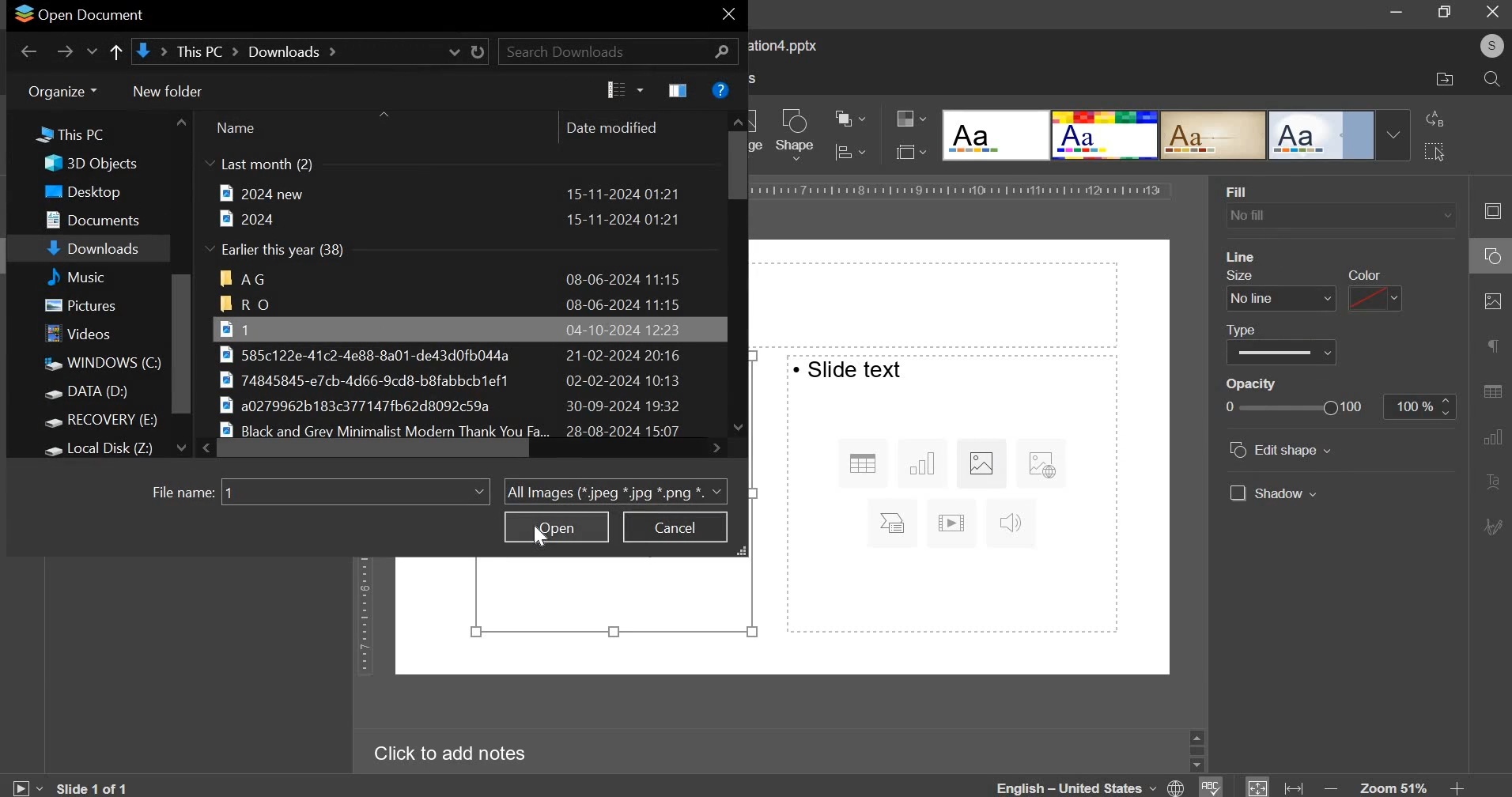 The width and height of the screenshot is (1512, 797). I want to click on music, so click(95, 276).